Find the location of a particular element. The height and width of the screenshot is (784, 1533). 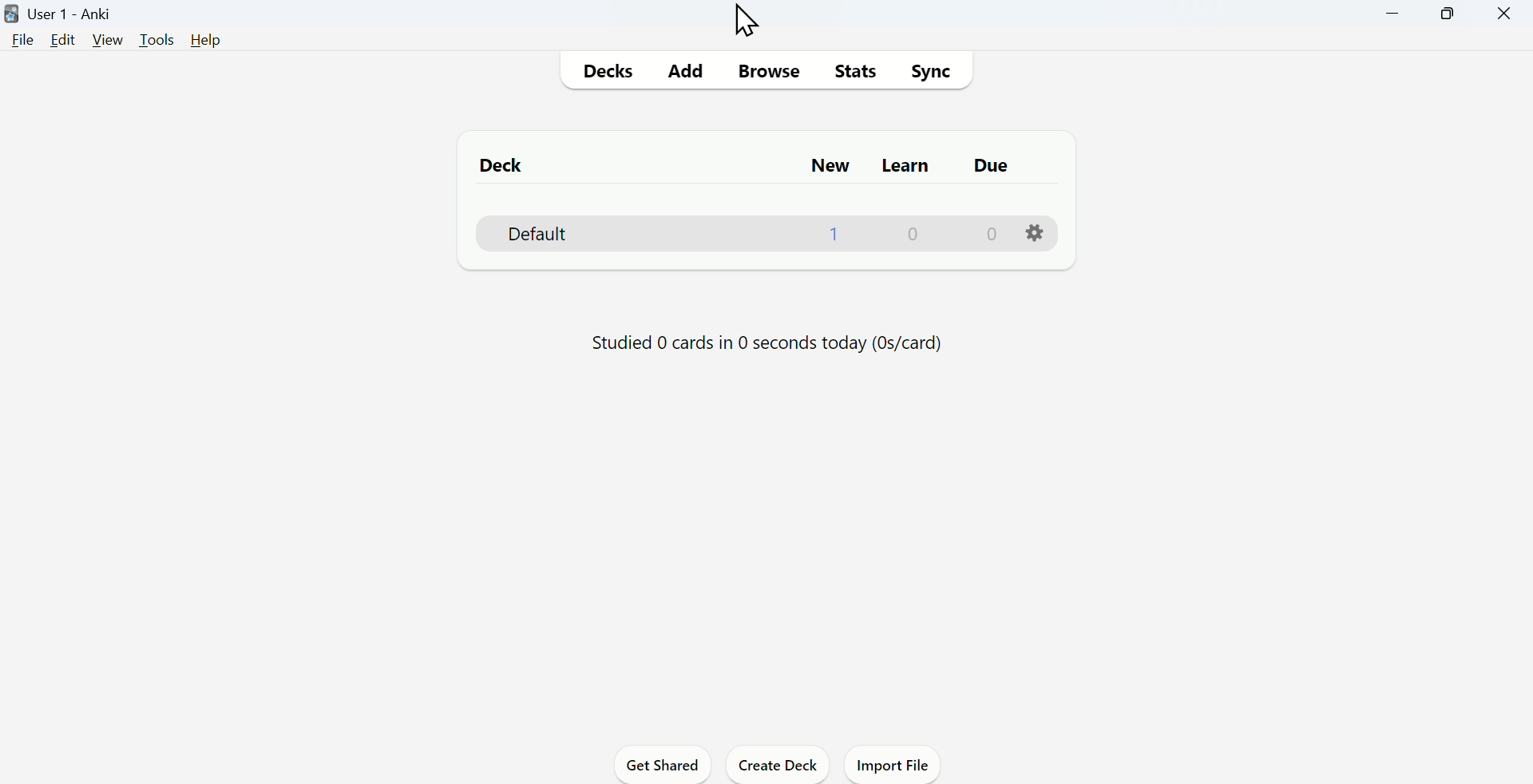

1 is located at coordinates (835, 237).